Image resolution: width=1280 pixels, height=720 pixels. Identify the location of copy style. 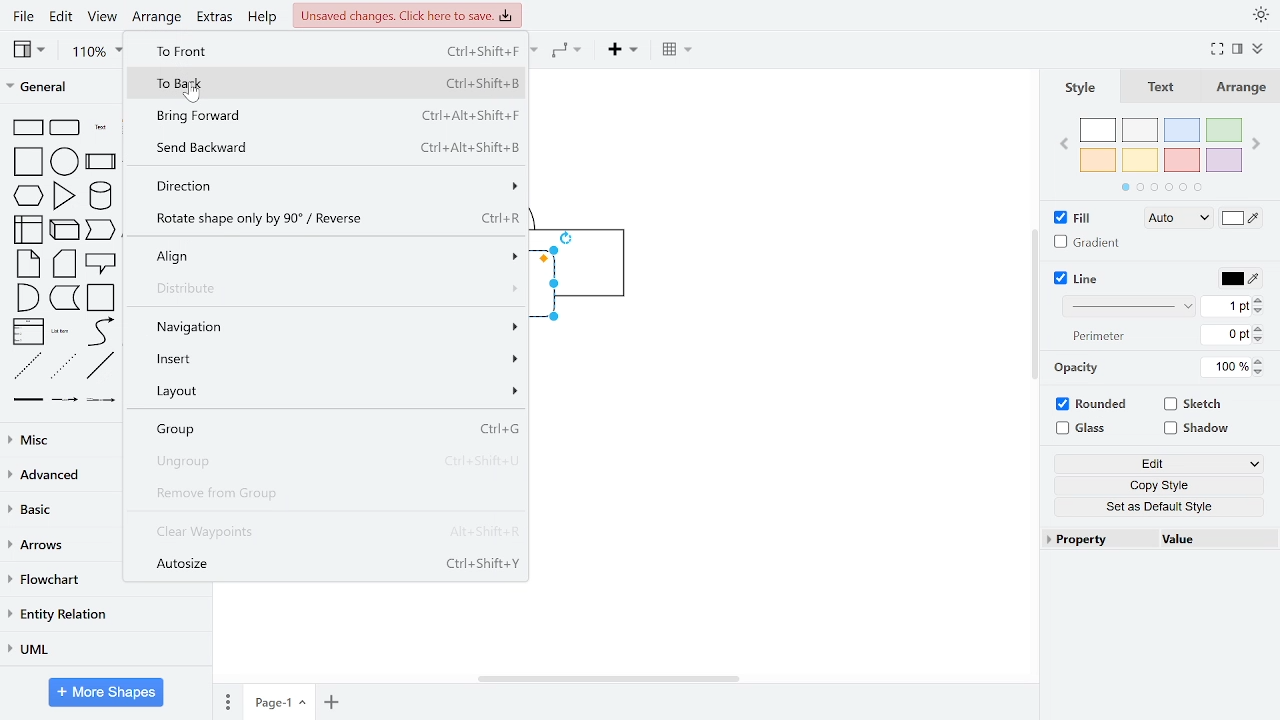
(1155, 485).